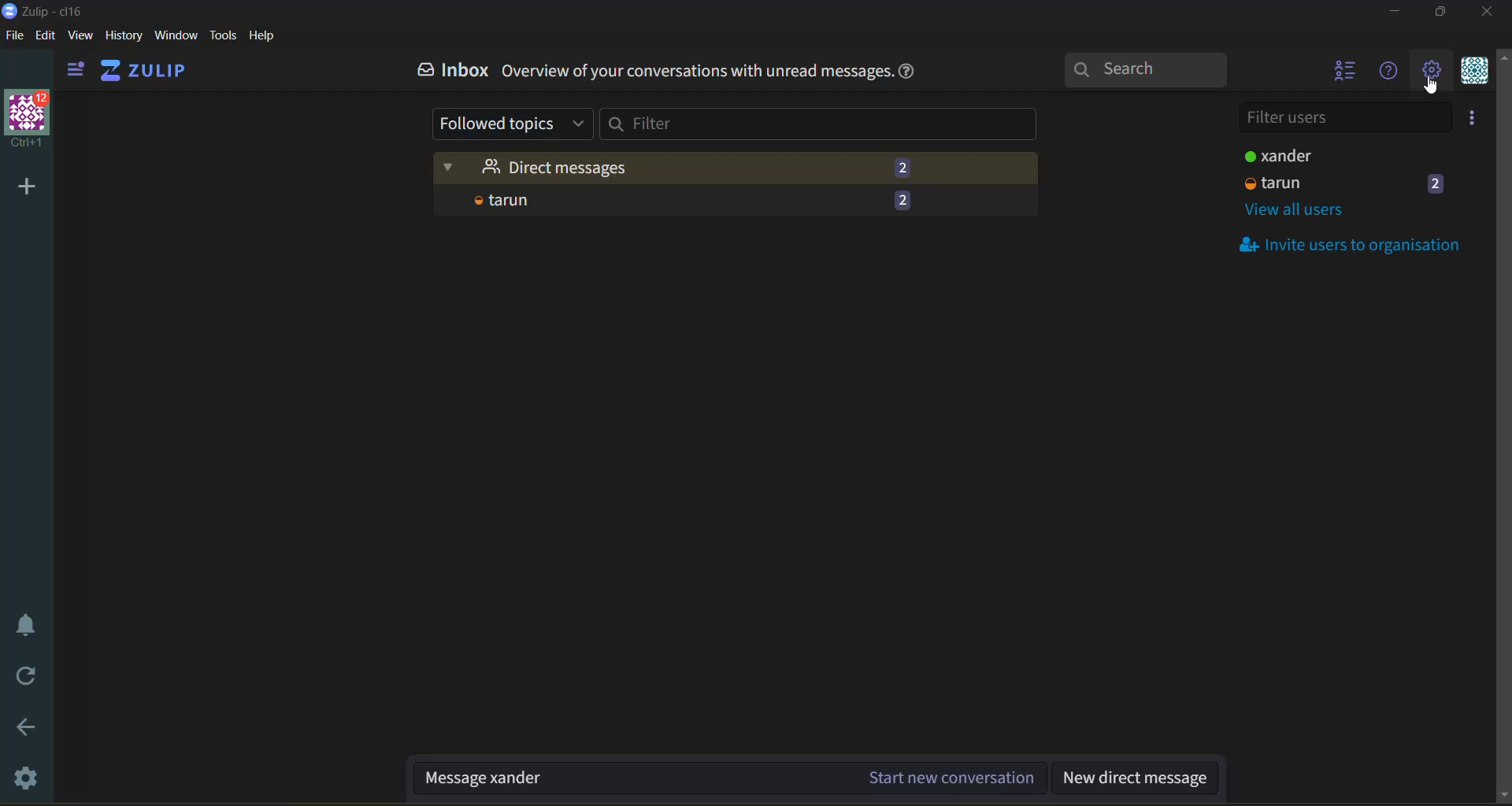 The height and width of the screenshot is (806, 1512). I want to click on Message xander Start new conversation, so click(730, 779).